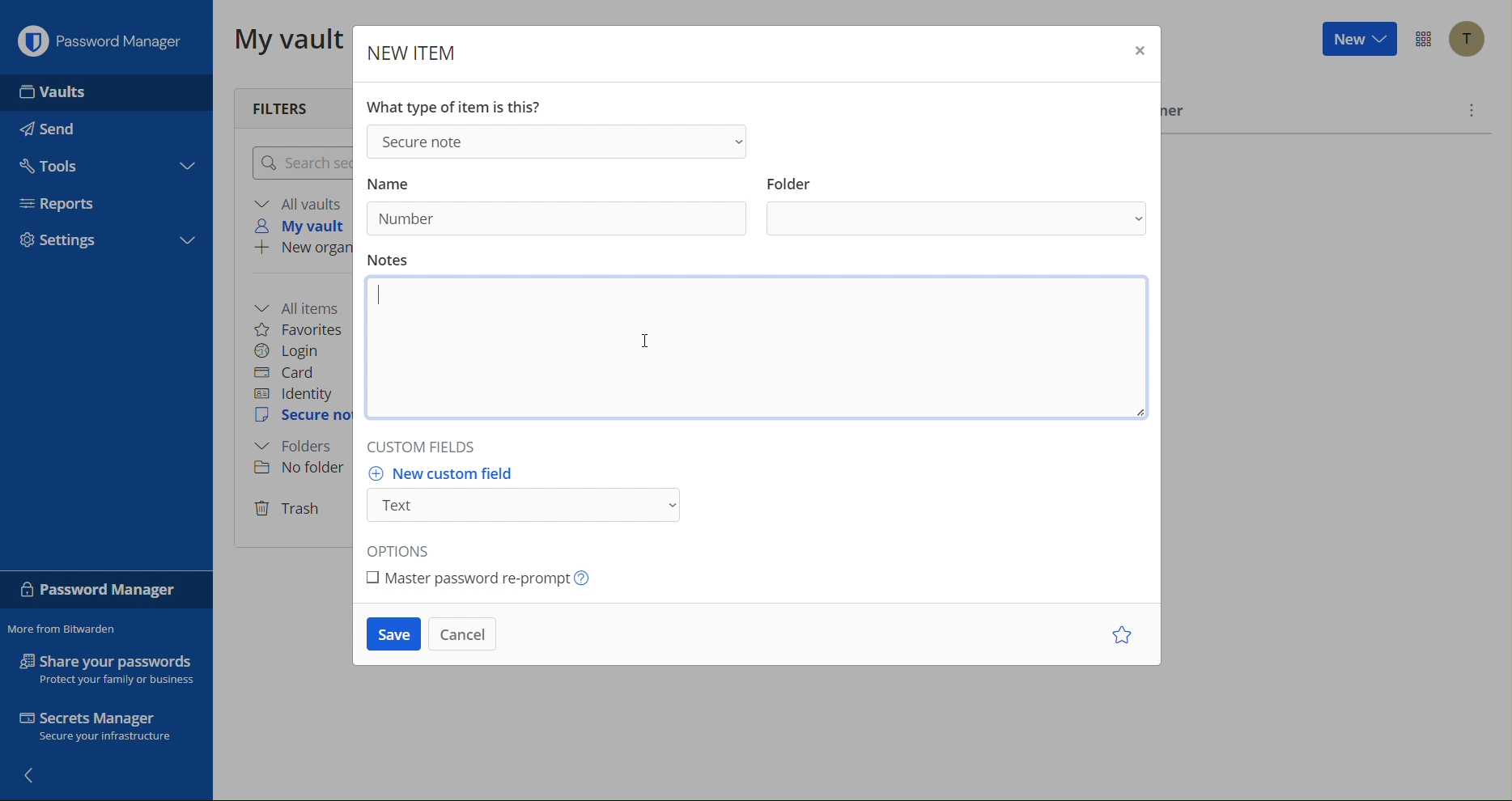 The height and width of the screenshot is (801, 1512). I want to click on Account, so click(1466, 39).